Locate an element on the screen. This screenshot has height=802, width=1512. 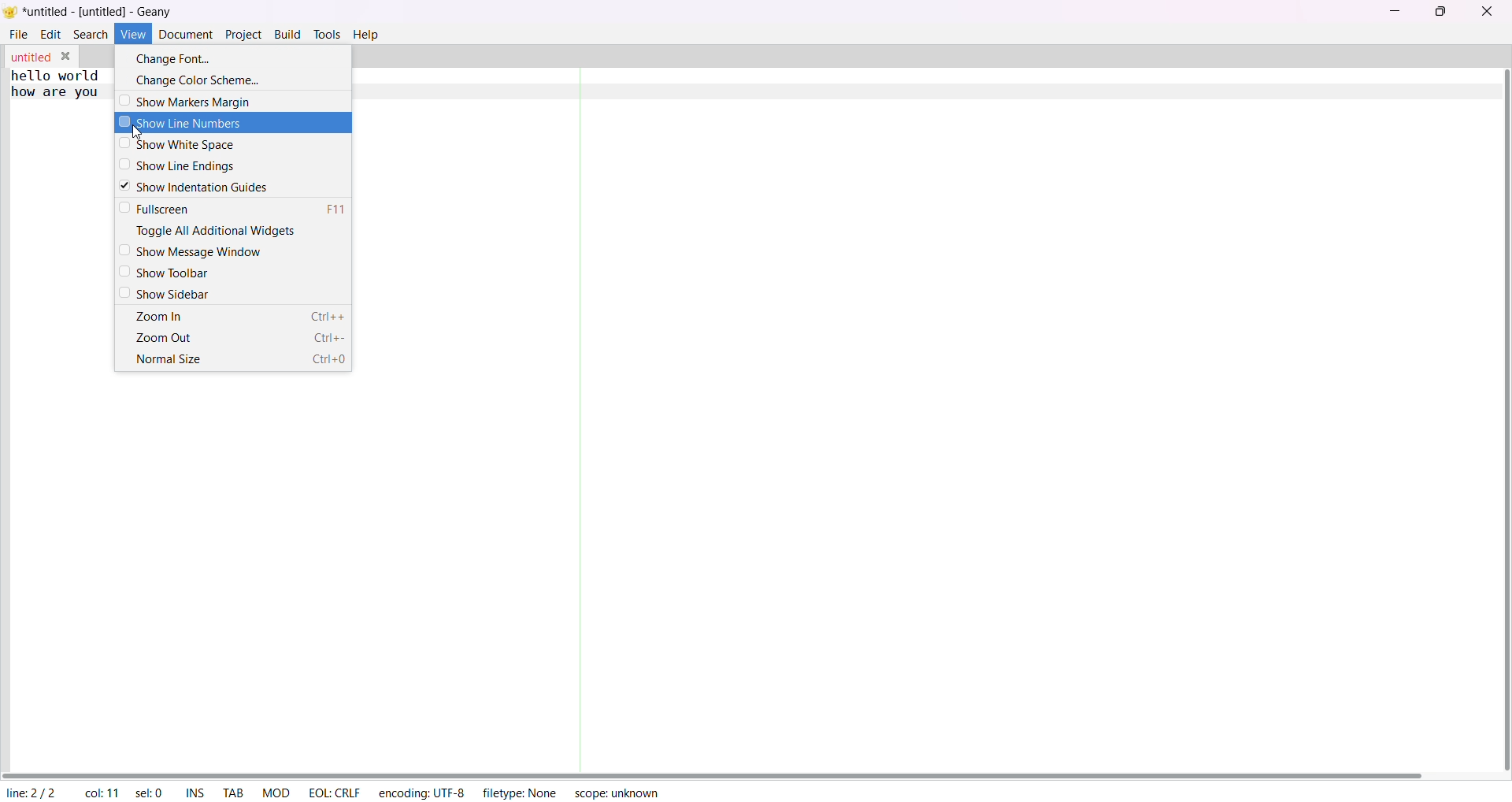
help is located at coordinates (366, 35).